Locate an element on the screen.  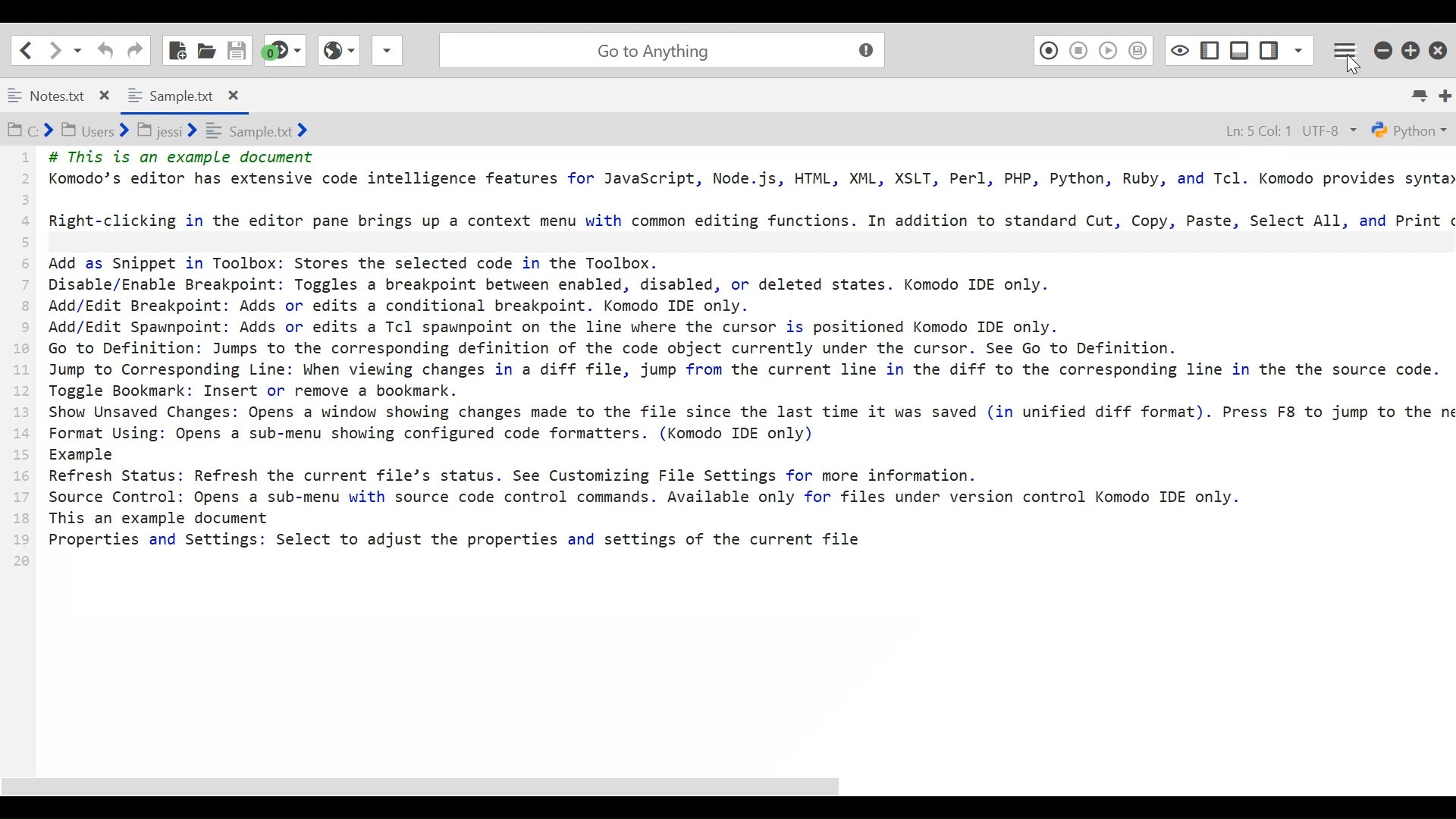
1 2 3 4 5 6 7 8 9 10 11 12 13 14 15 16 17 18 19 20 is located at coordinates (24, 364).